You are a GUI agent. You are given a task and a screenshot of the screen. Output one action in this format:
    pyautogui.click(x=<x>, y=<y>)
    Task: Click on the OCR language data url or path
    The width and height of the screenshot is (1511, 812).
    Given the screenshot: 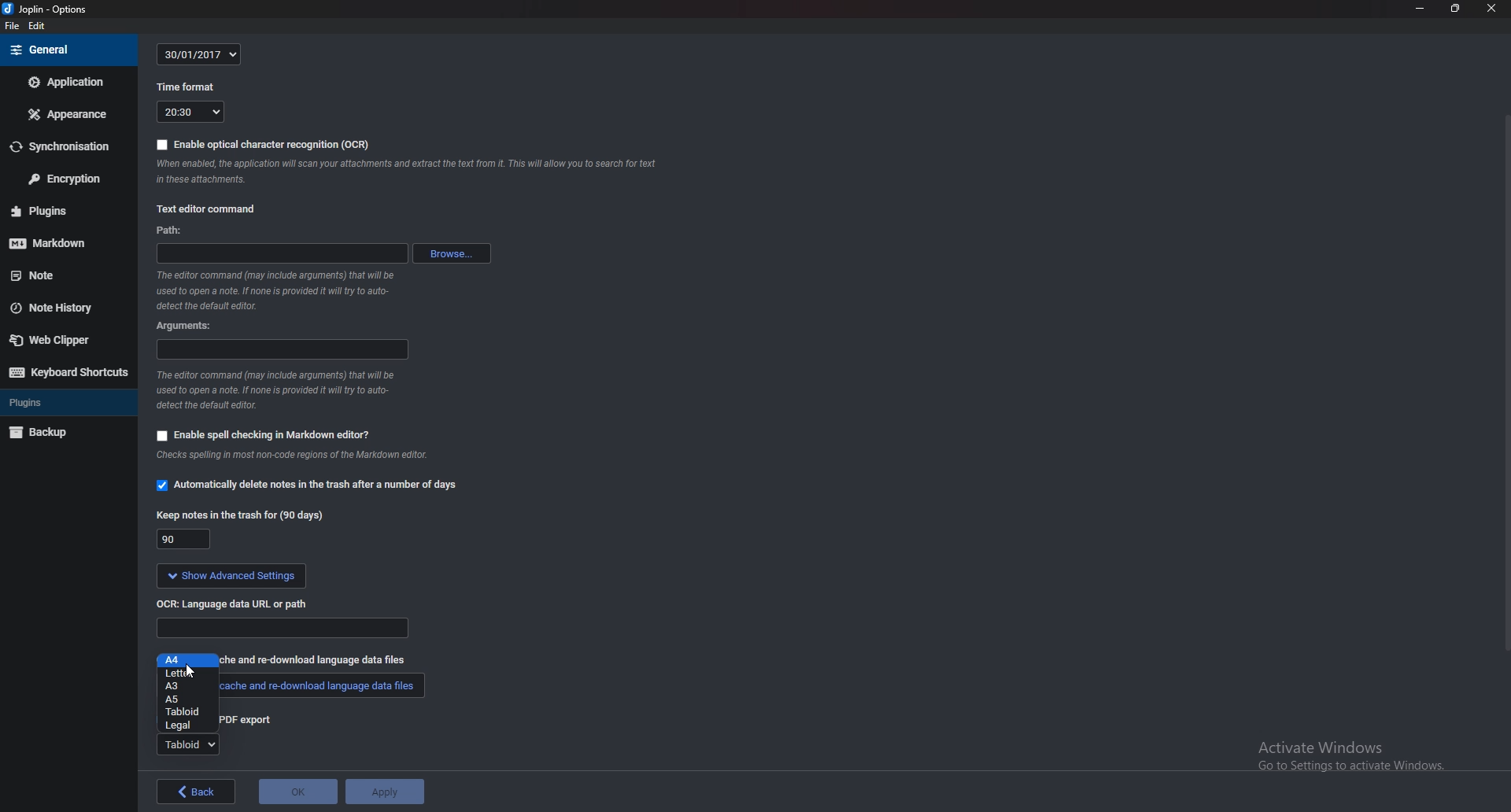 What is the action you would take?
    pyautogui.click(x=242, y=604)
    